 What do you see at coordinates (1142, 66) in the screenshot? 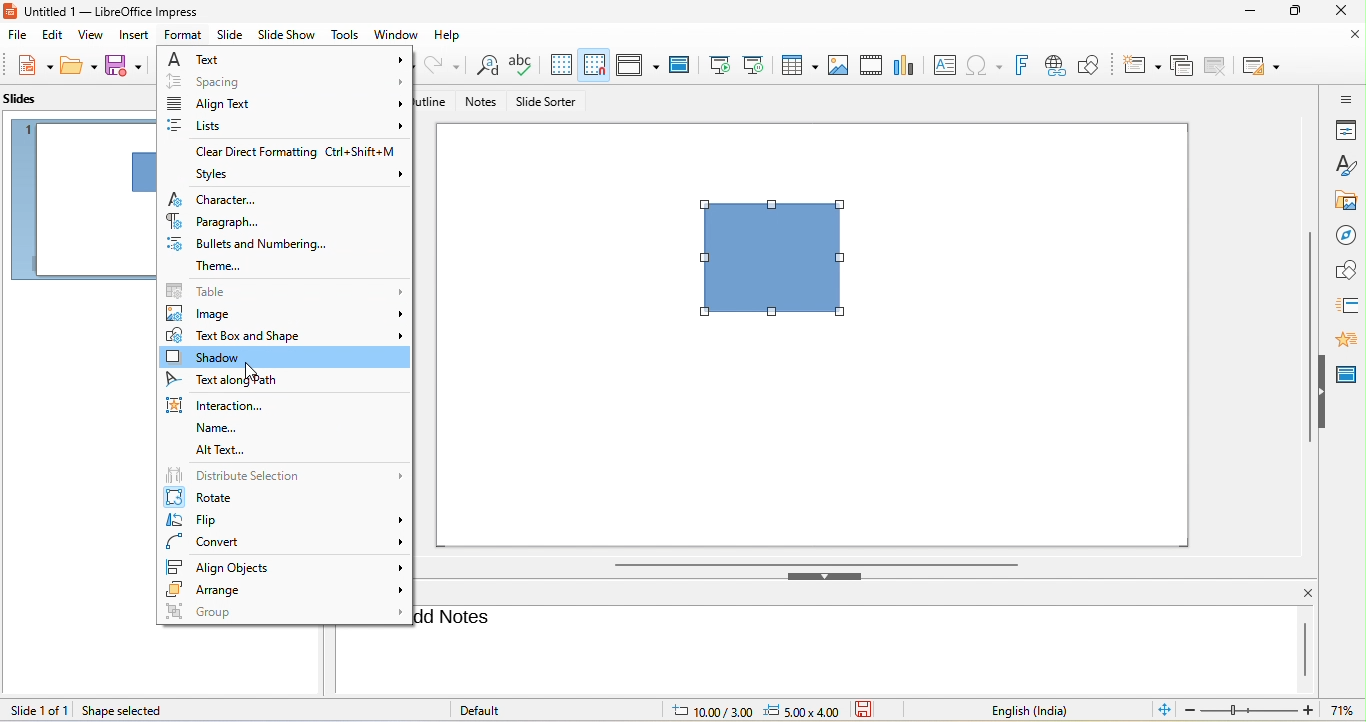
I see `new slide` at bounding box center [1142, 66].